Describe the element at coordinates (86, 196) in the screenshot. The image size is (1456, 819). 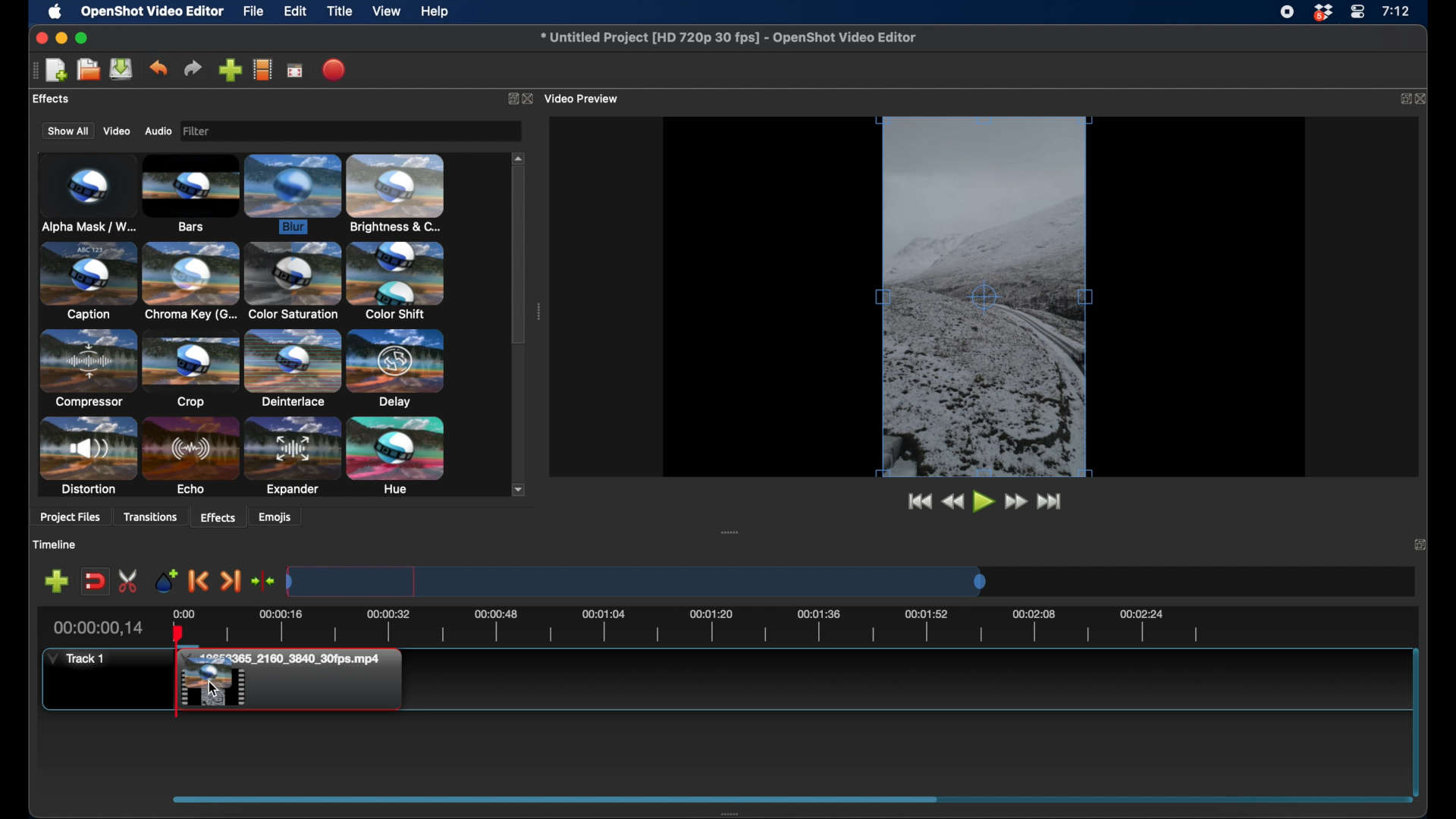
I see `alpha mask` at that location.